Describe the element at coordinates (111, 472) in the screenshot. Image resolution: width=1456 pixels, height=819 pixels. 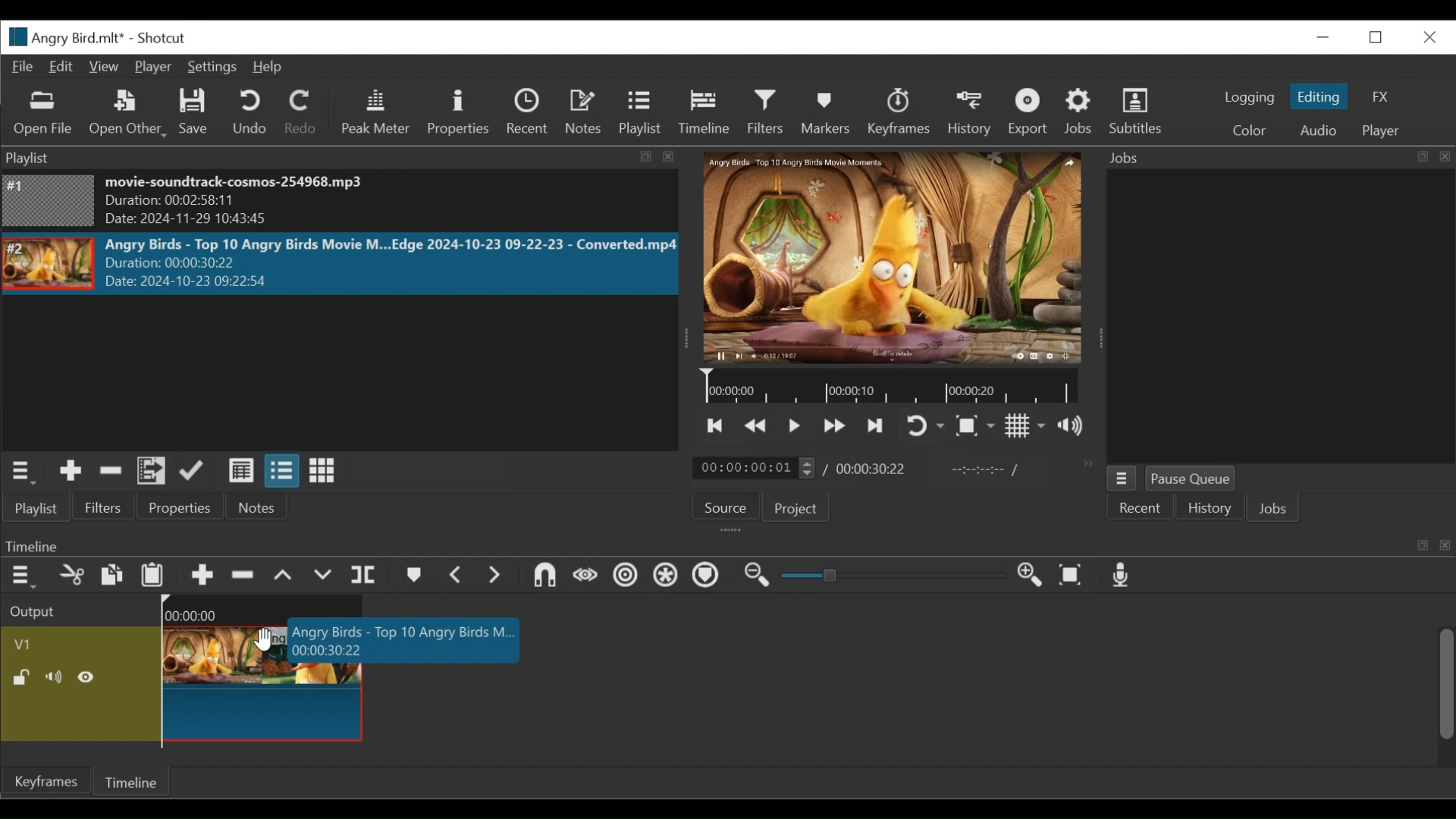
I see `Remove cut` at that location.